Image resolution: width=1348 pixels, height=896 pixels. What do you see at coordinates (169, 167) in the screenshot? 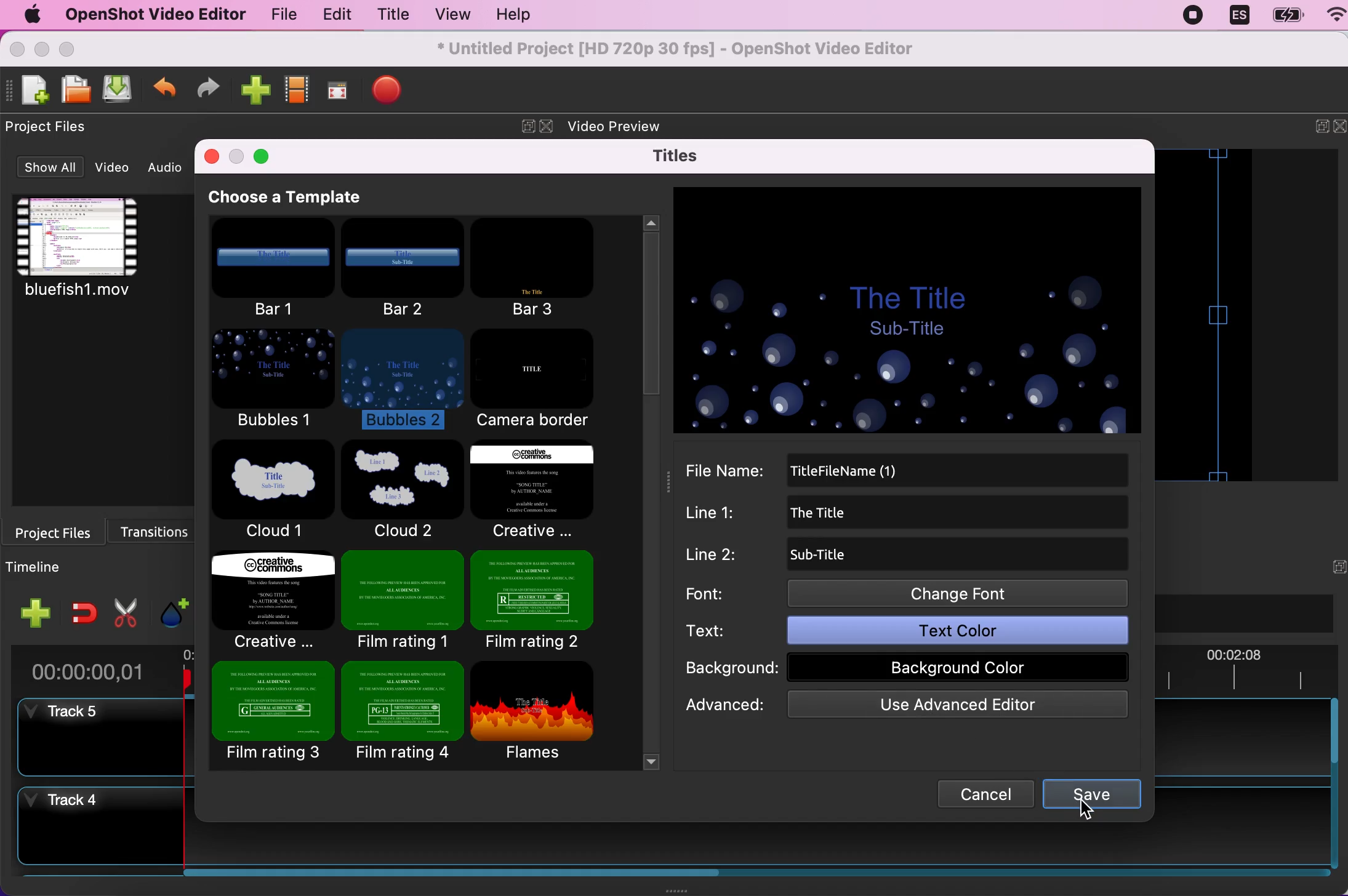
I see `audio` at bounding box center [169, 167].